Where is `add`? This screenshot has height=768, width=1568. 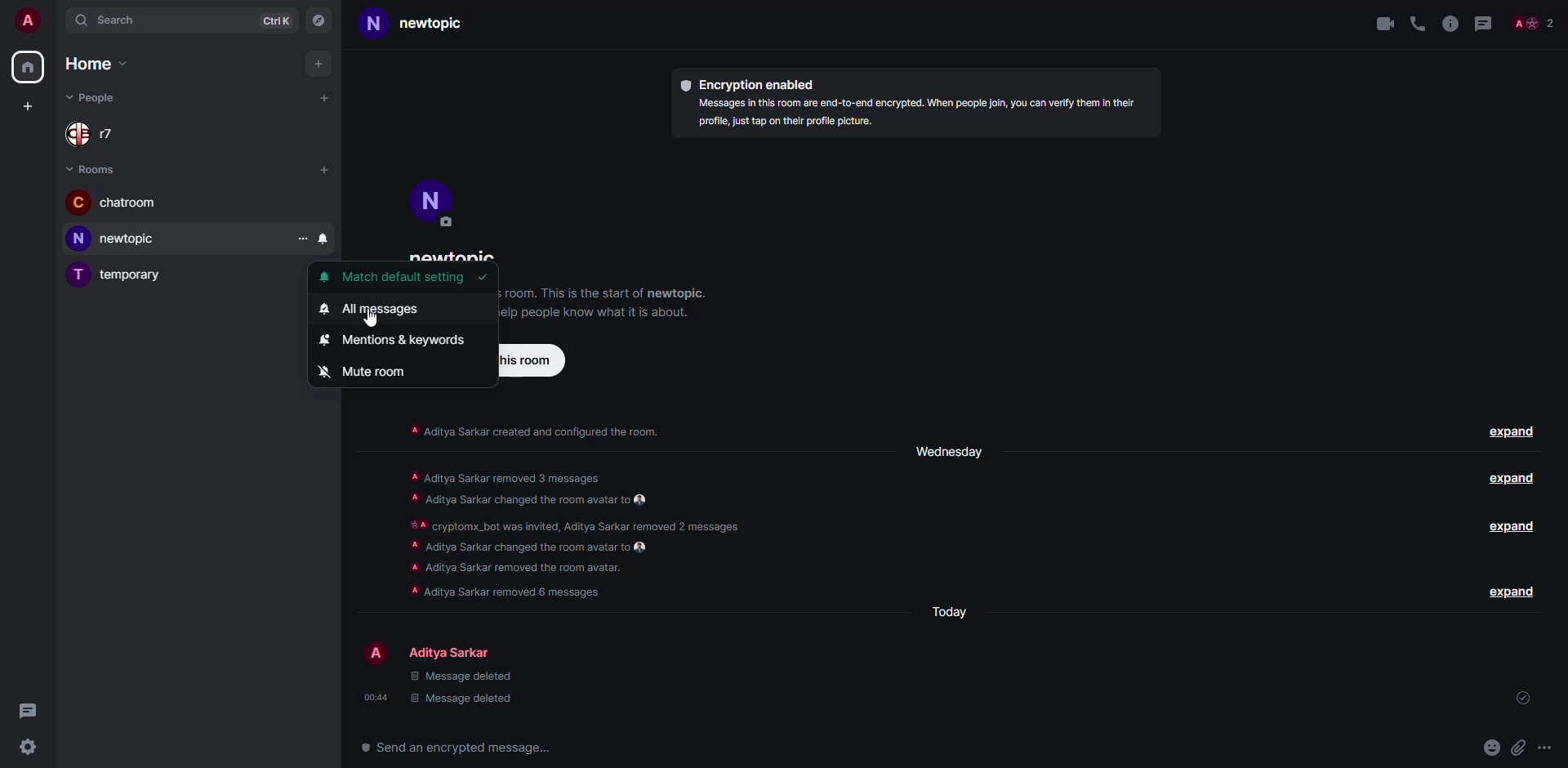
add is located at coordinates (325, 169).